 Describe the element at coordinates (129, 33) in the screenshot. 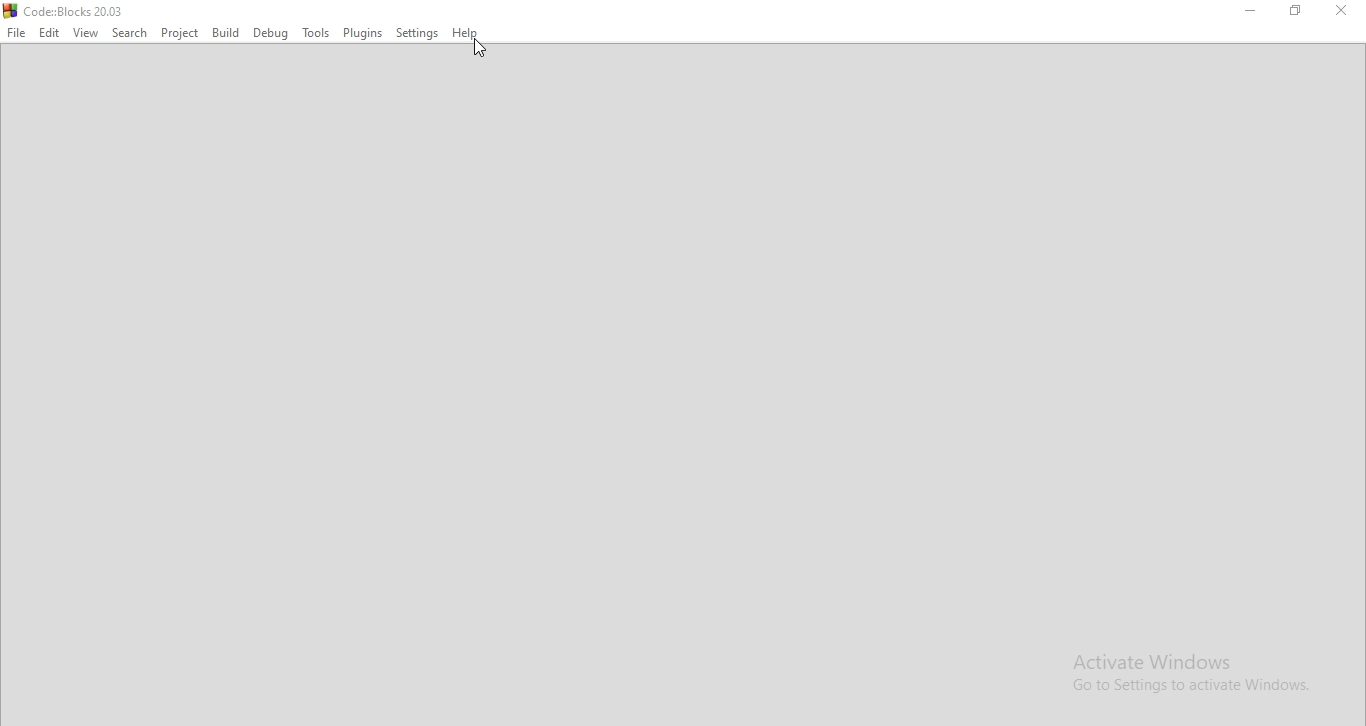

I see `Search ` at that location.